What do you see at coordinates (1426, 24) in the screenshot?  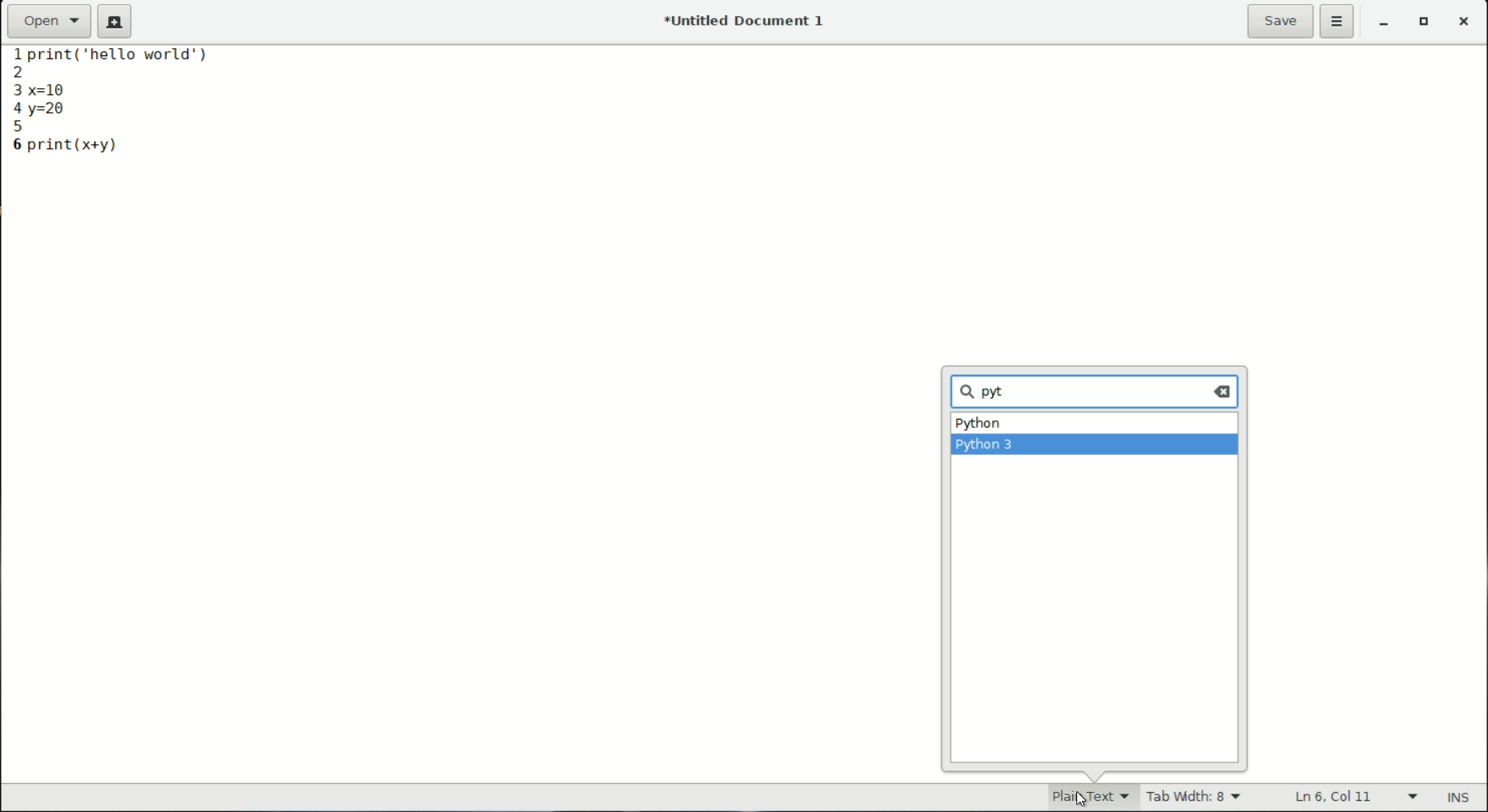 I see `full screen` at bounding box center [1426, 24].